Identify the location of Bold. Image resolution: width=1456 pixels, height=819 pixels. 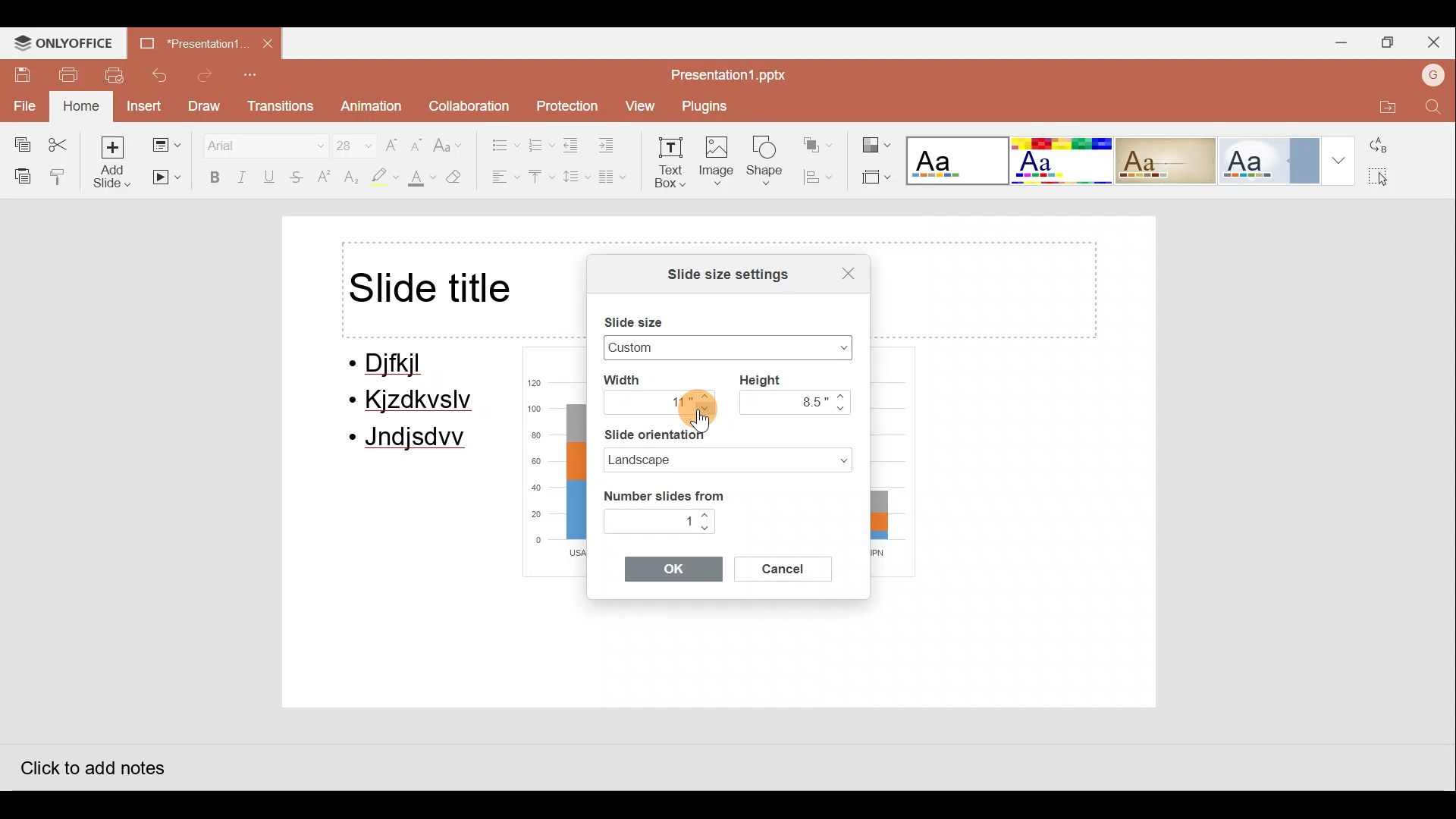
(211, 177).